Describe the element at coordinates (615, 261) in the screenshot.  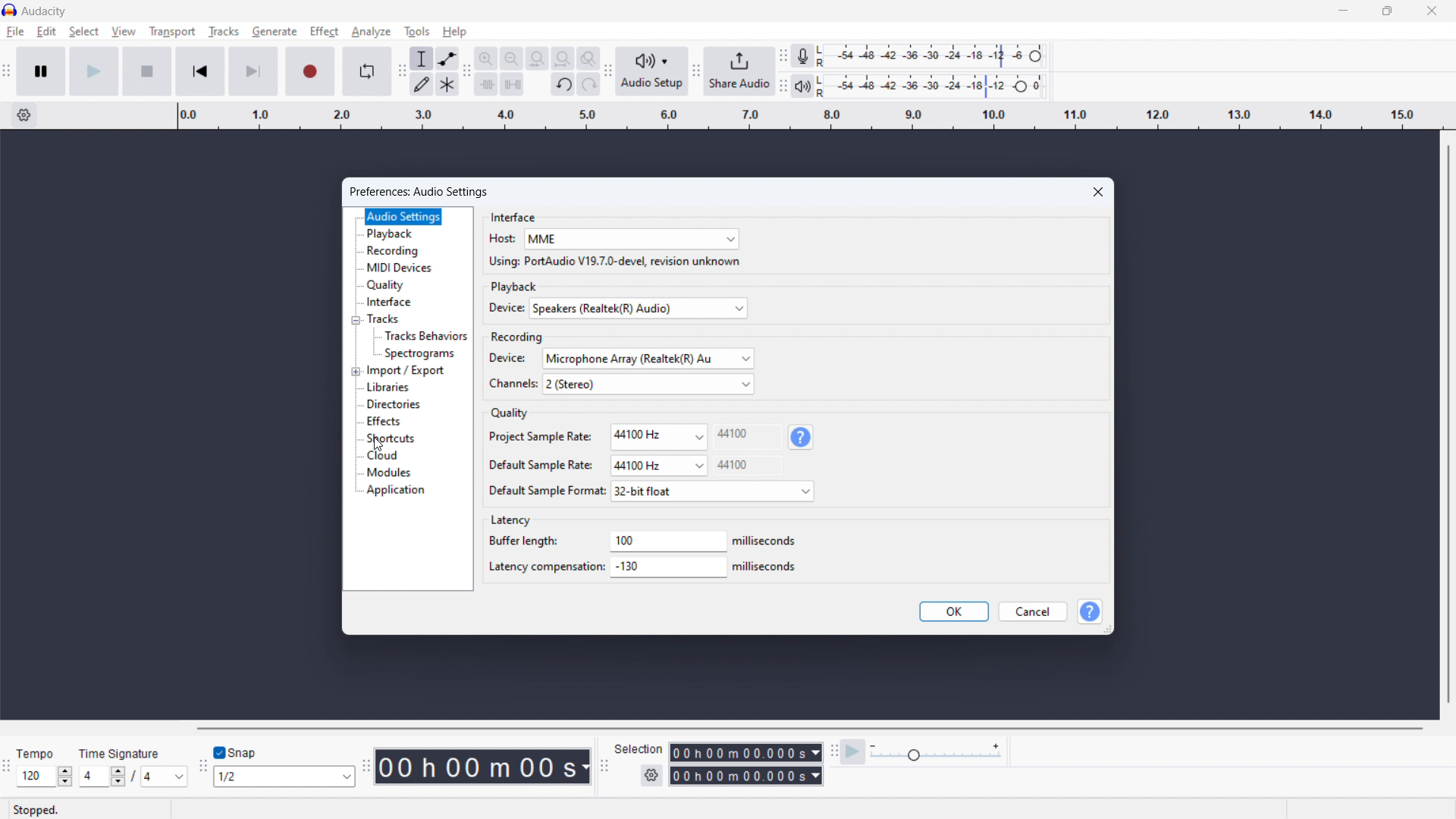
I see `Using: PortAudio V19.7.0-devel, revision unknown` at that location.